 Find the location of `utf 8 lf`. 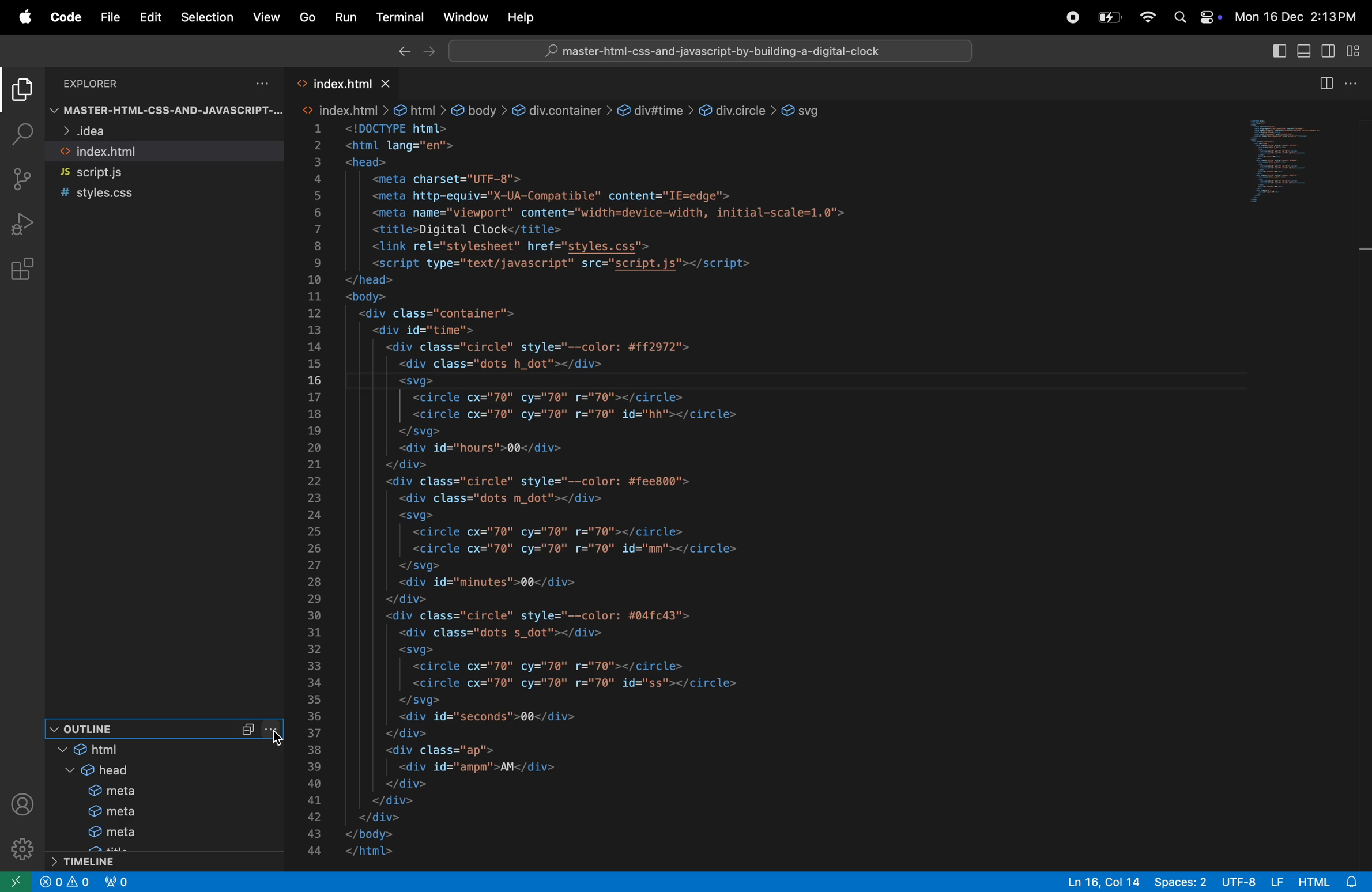

utf 8 lf is located at coordinates (1253, 881).